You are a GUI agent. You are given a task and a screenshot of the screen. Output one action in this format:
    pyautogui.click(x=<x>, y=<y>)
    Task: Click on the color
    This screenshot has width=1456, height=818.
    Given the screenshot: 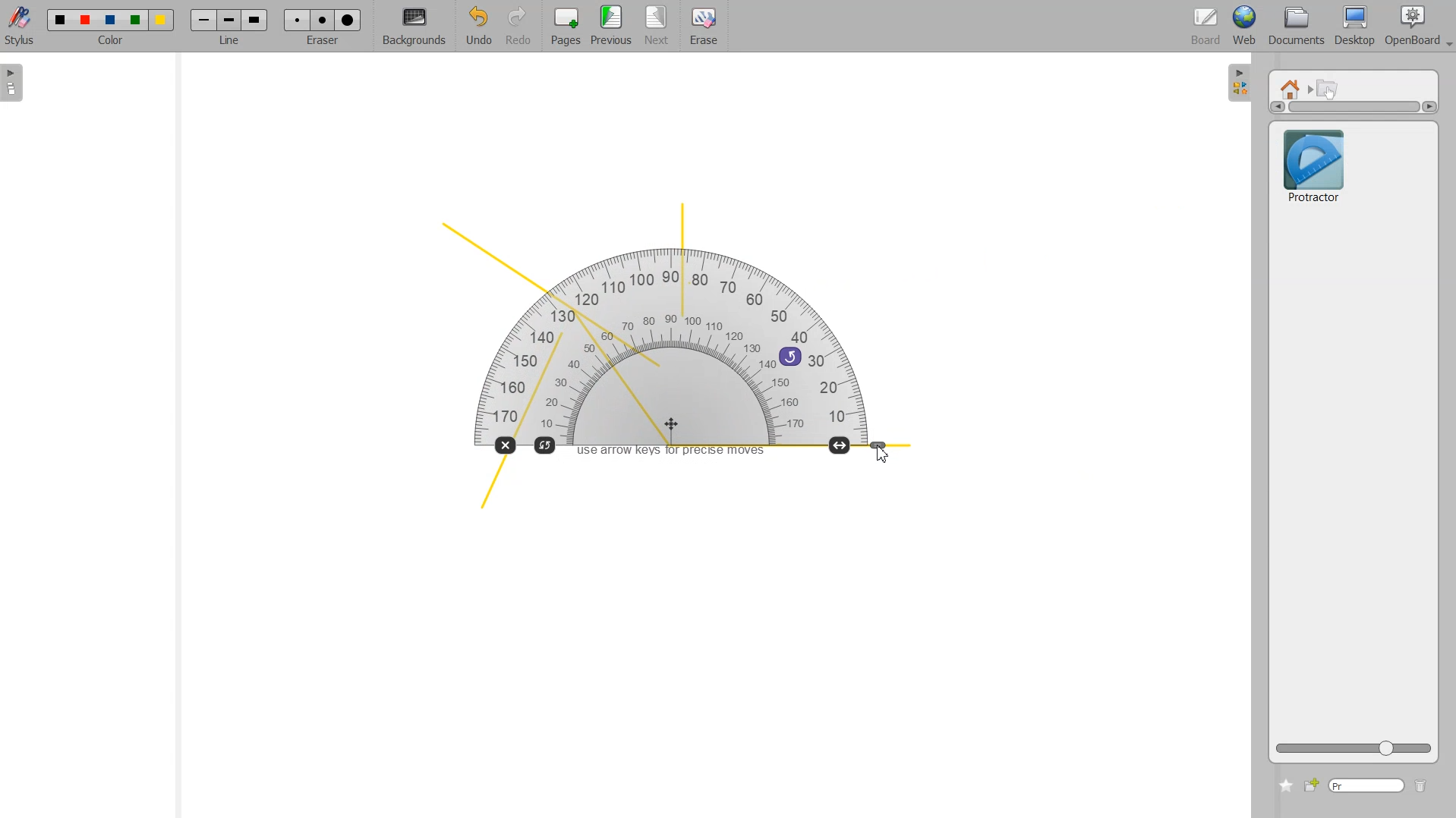 What is the action you would take?
    pyautogui.click(x=112, y=42)
    